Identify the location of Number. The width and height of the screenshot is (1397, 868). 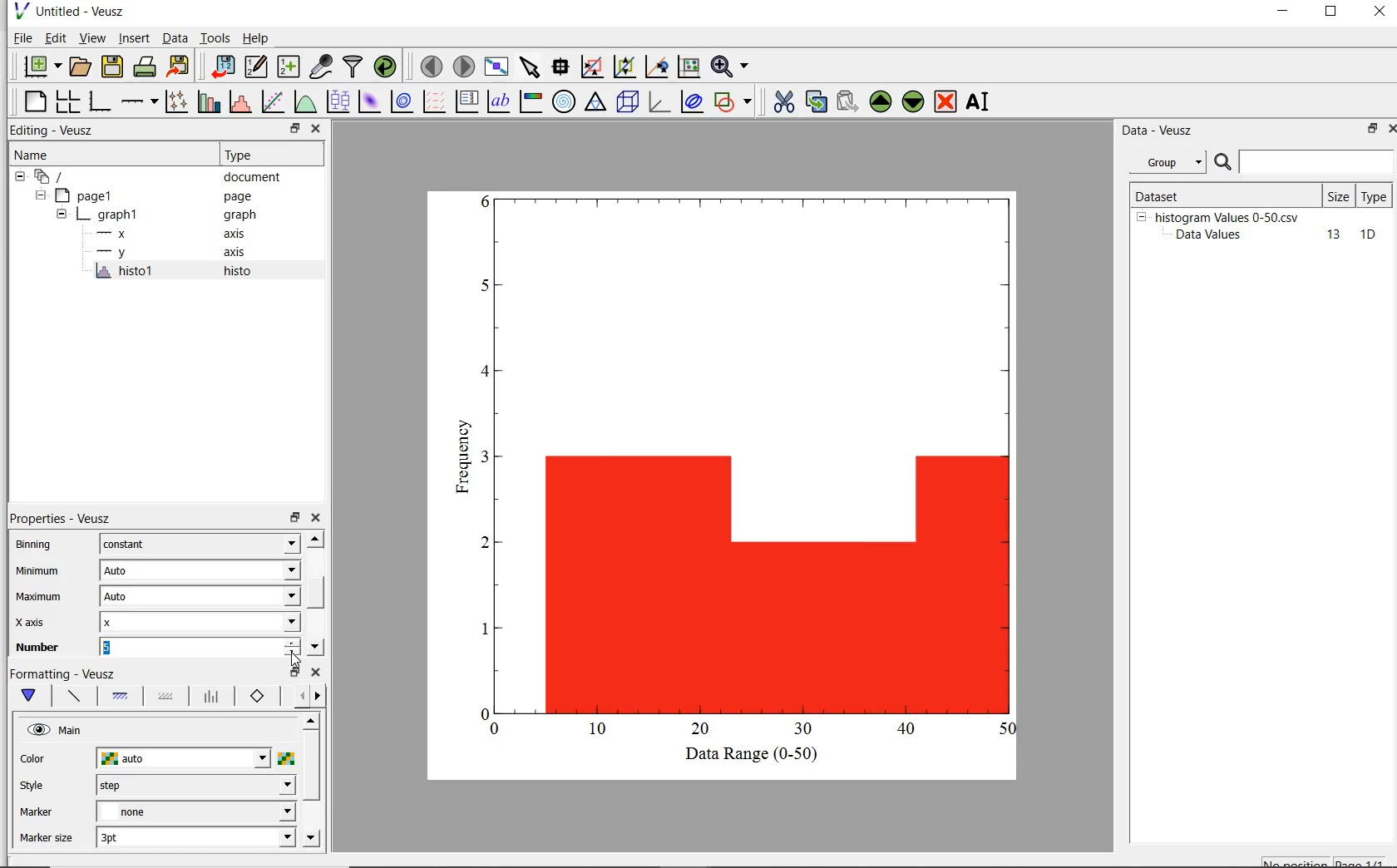
(38, 648).